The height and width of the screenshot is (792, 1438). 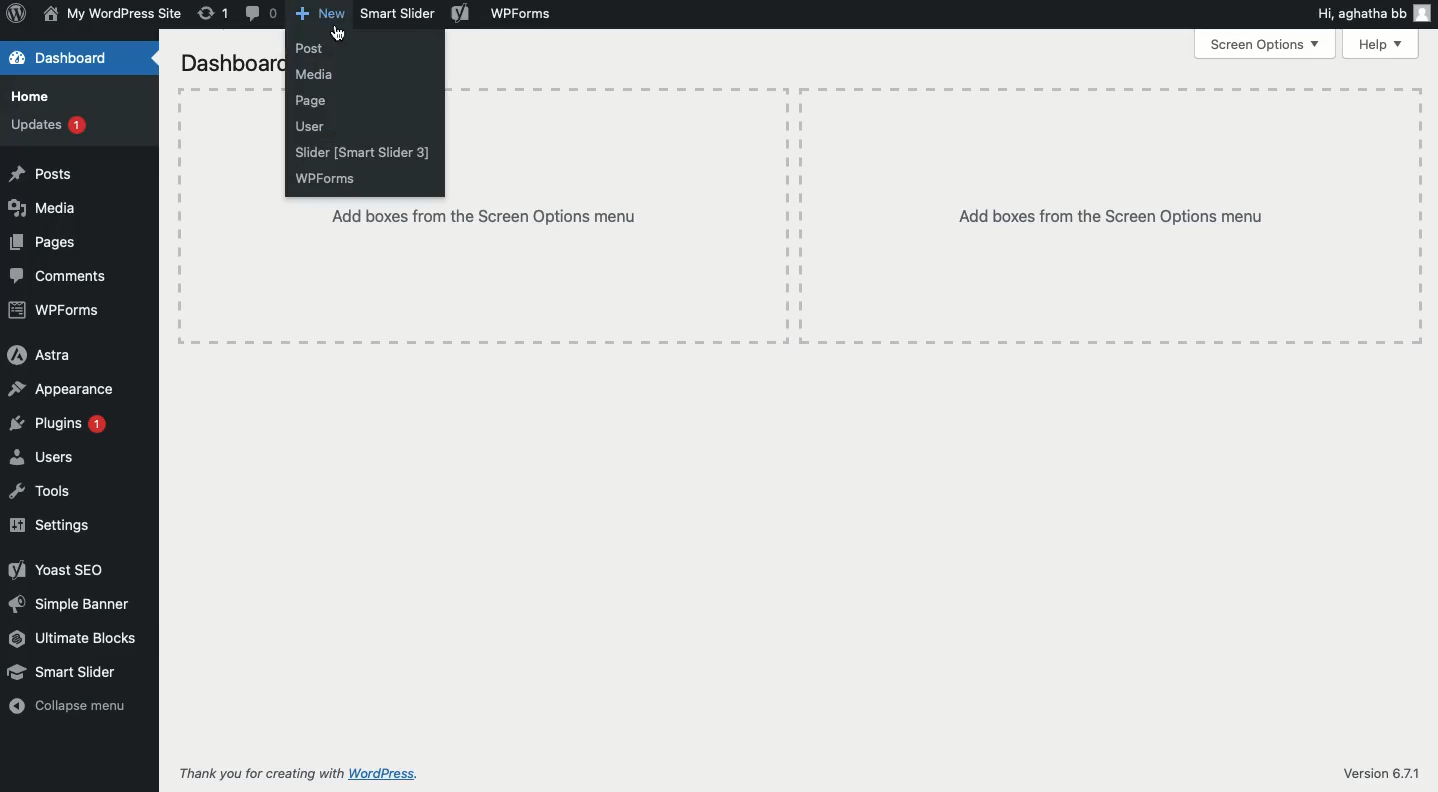 I want to click on Posts, so click(x=38, y=175).